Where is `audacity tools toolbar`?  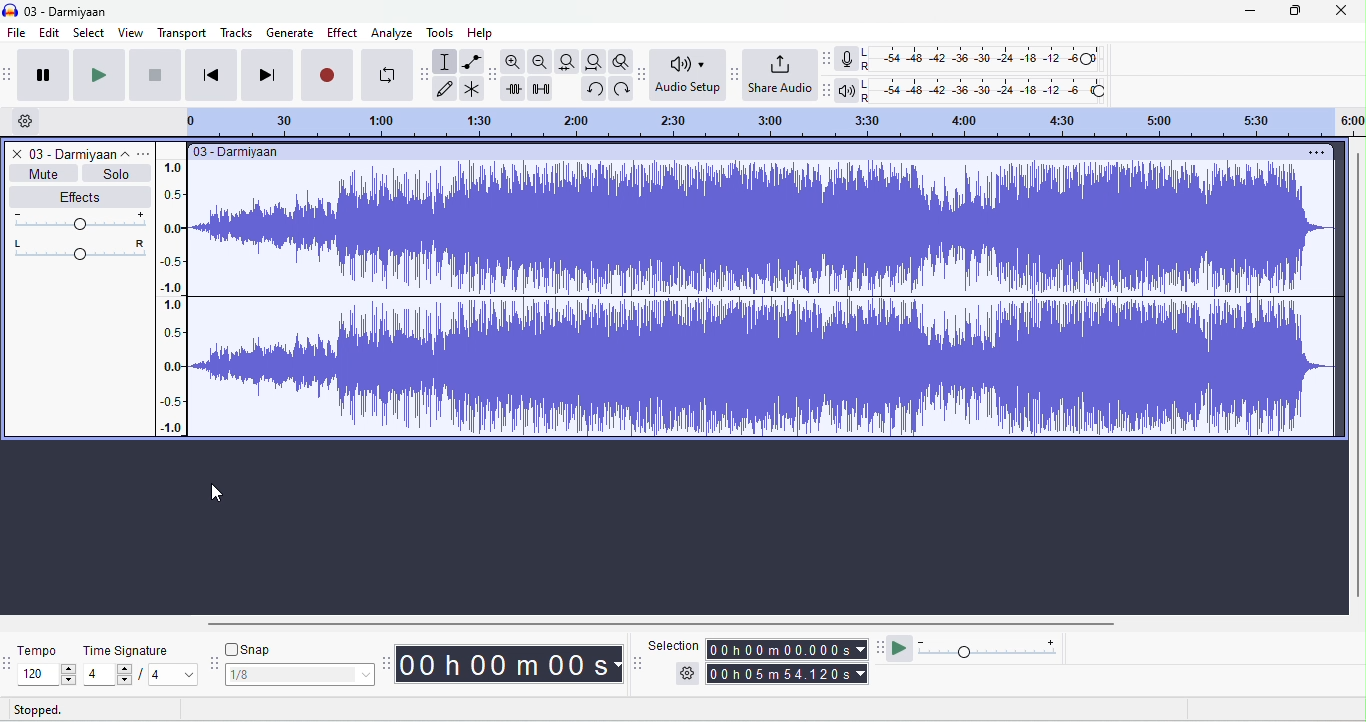 audacity tools toolbar is located at coordinates (424, 76).